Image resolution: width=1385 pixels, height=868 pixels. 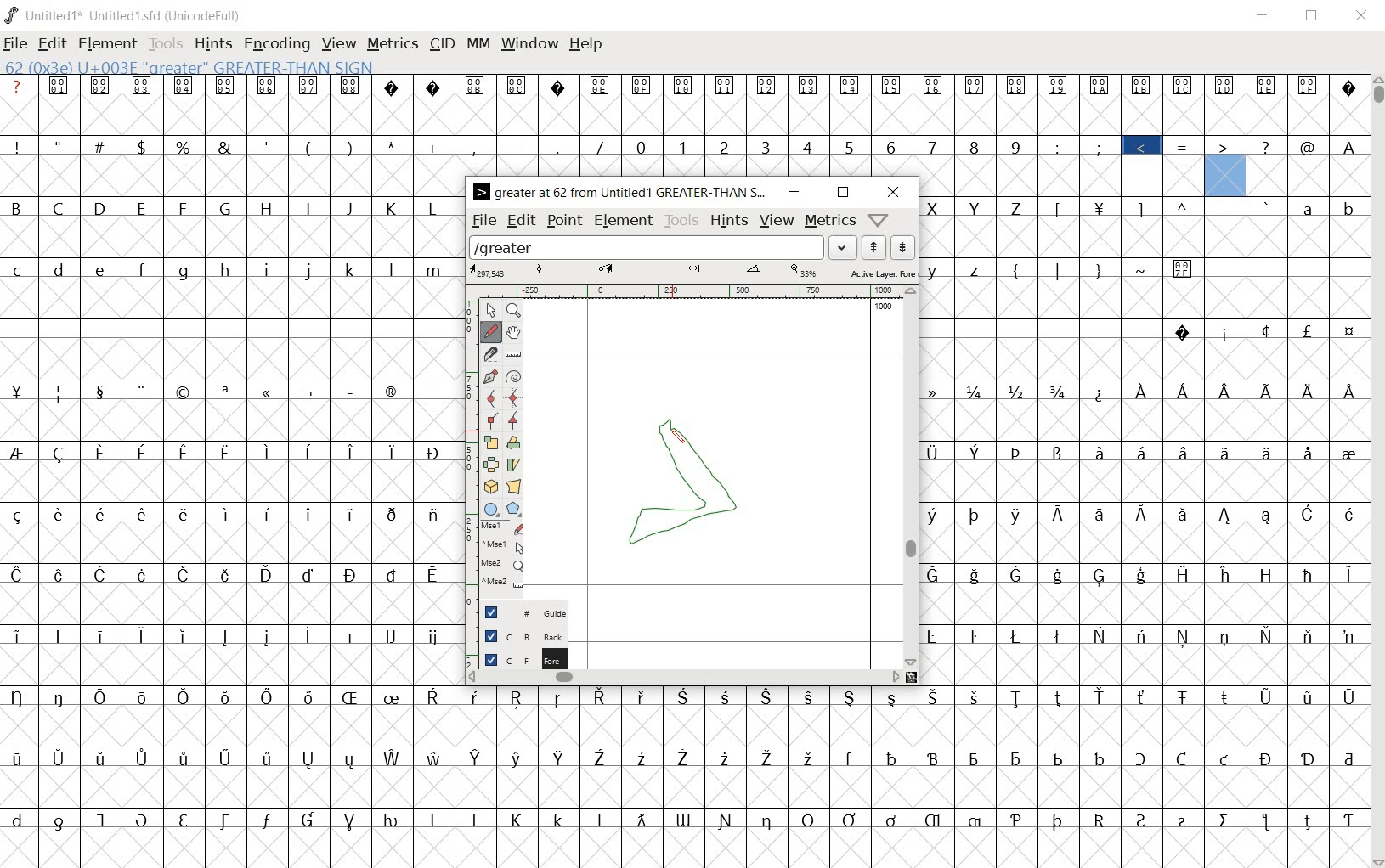 I want to click on draw a freehand curve, so click(x=491, y=332).